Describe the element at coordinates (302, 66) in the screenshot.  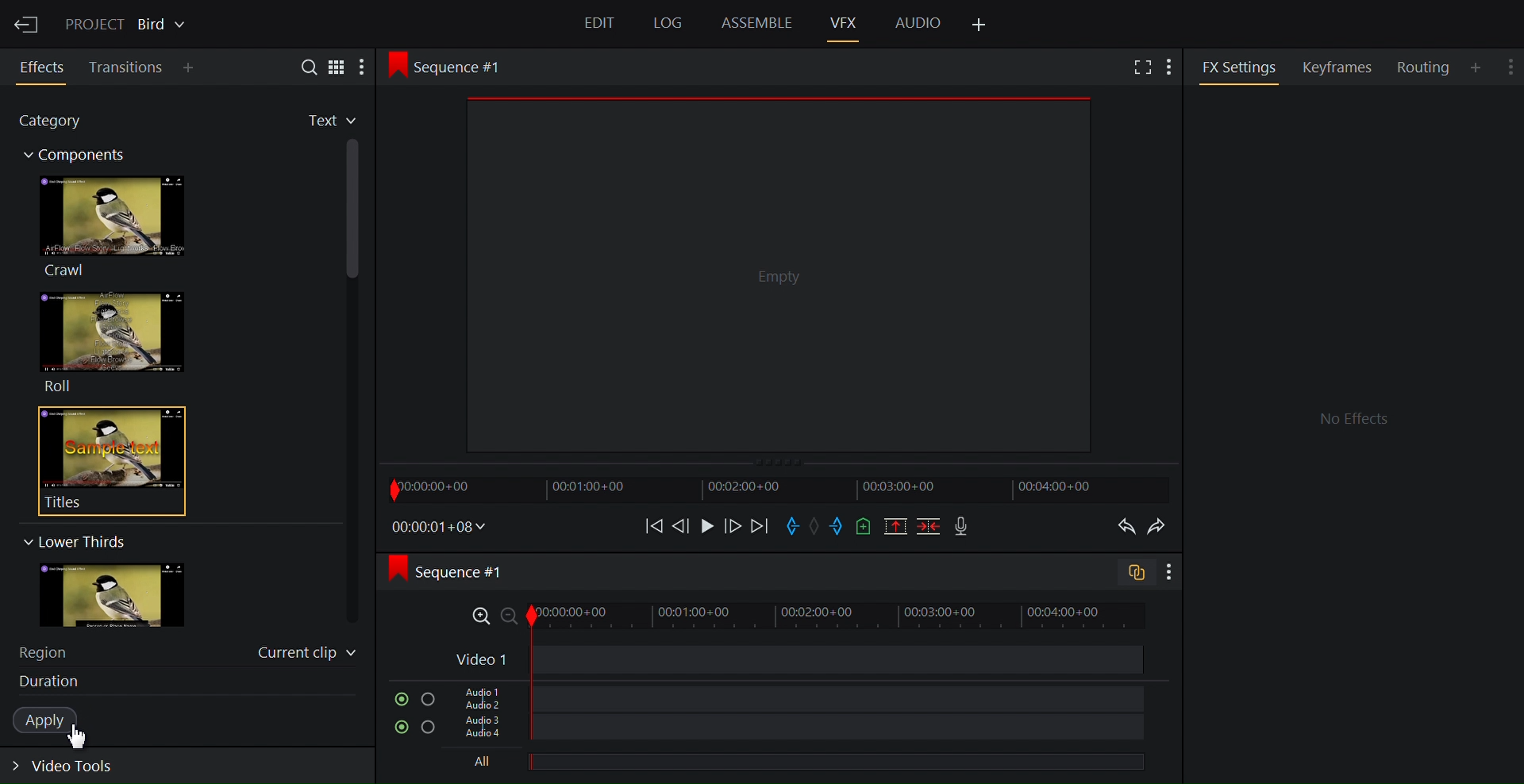
I see `Search` at that location.